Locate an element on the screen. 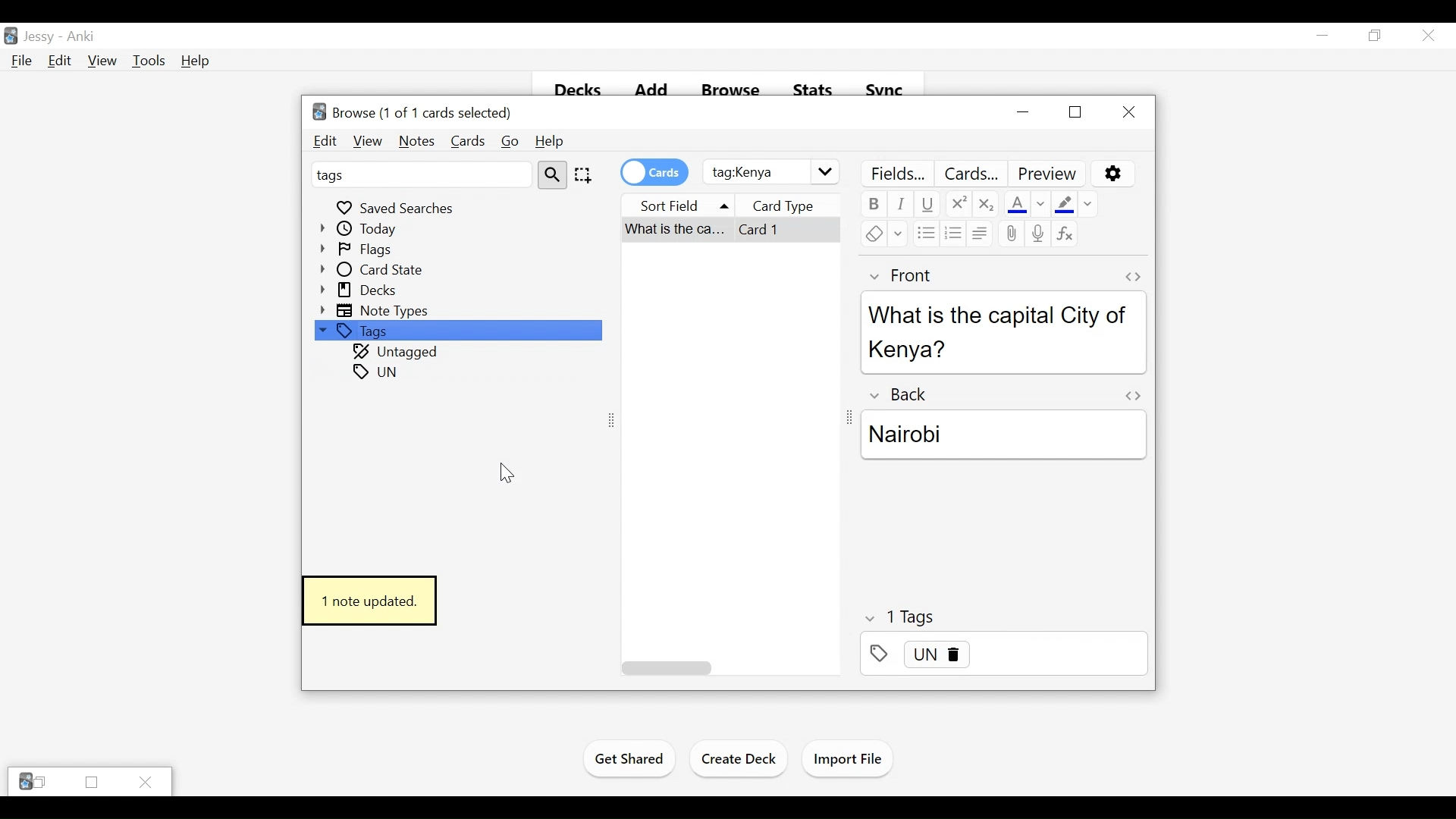 Image resolution: width=1456 pixels, height=819 pixels. minimize is located at coordinates (1323, 35).